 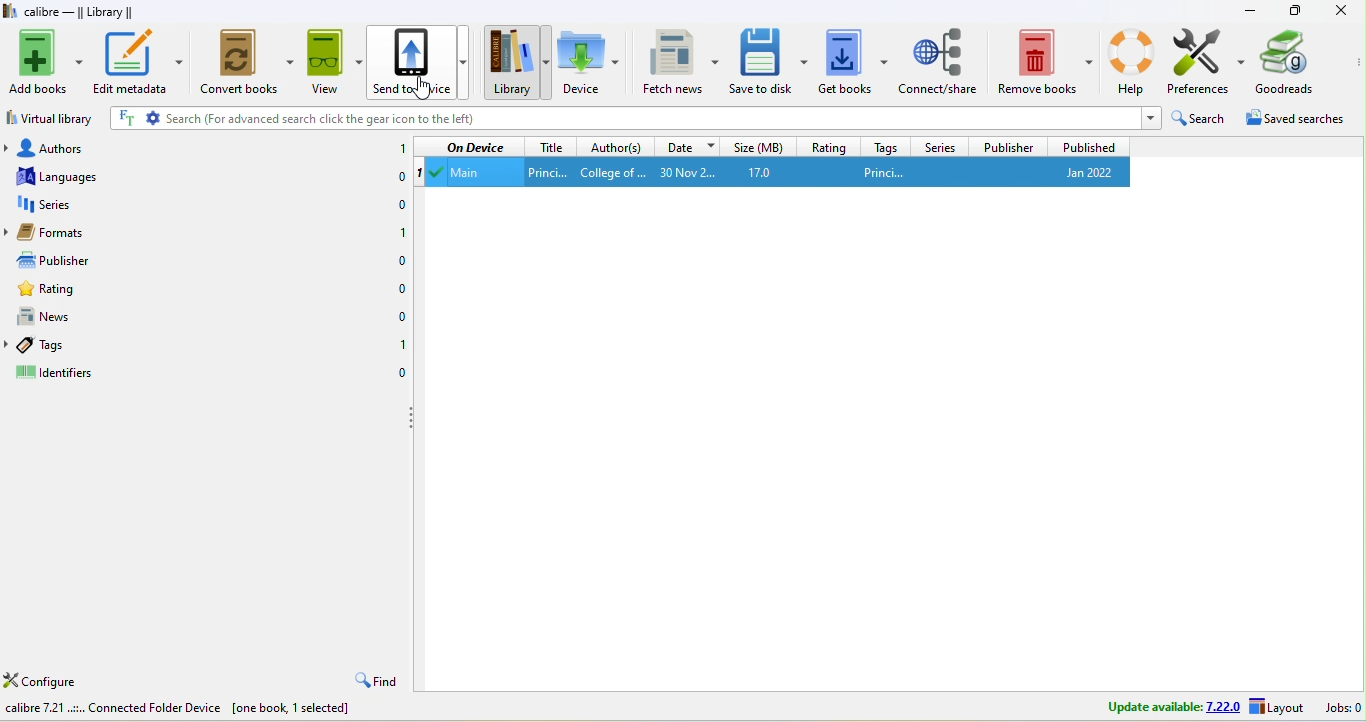 I want to click on layout, so click(x=1276, y=705).